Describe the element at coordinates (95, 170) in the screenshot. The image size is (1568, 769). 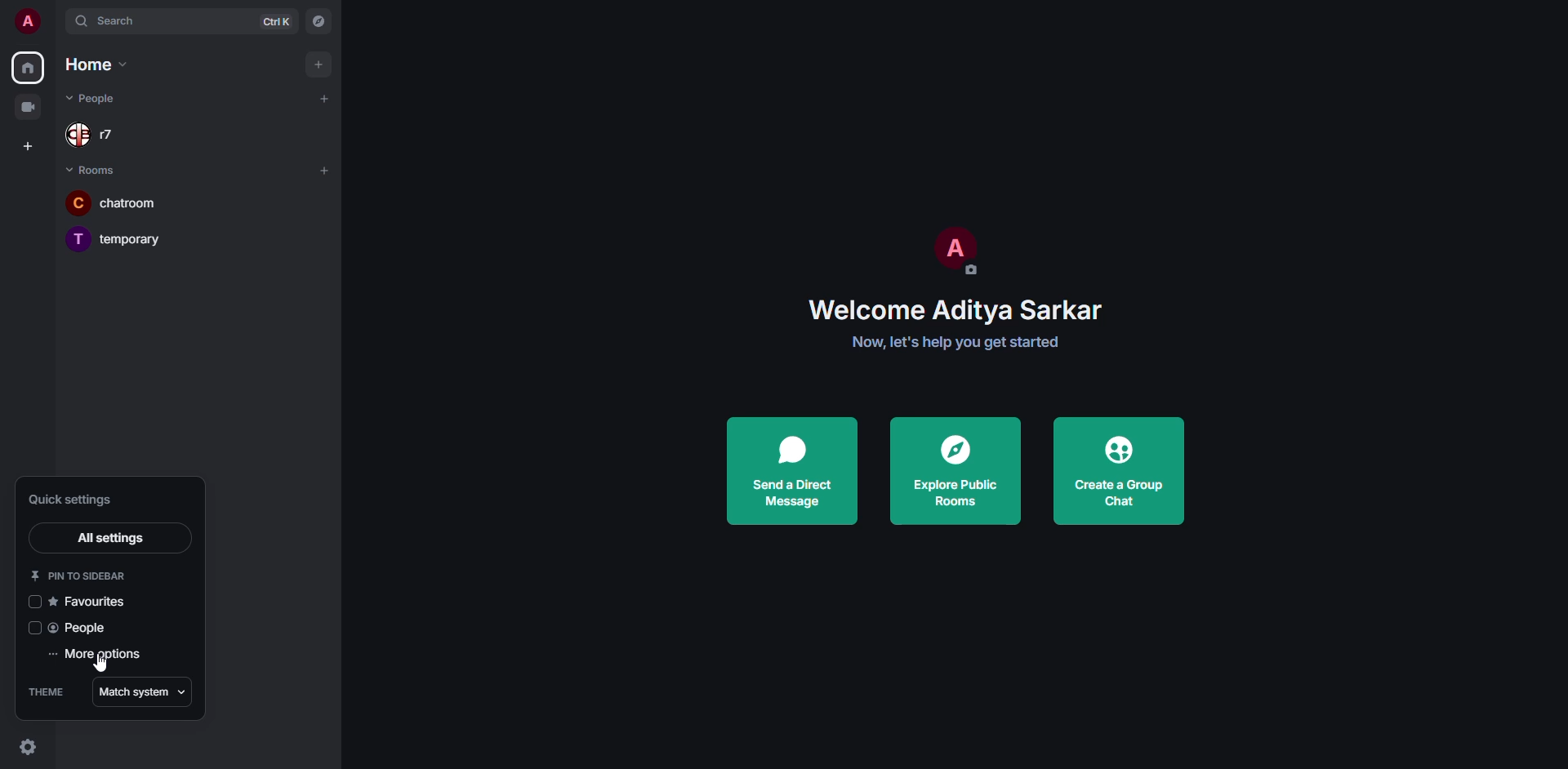
I see `rooms` at that location.